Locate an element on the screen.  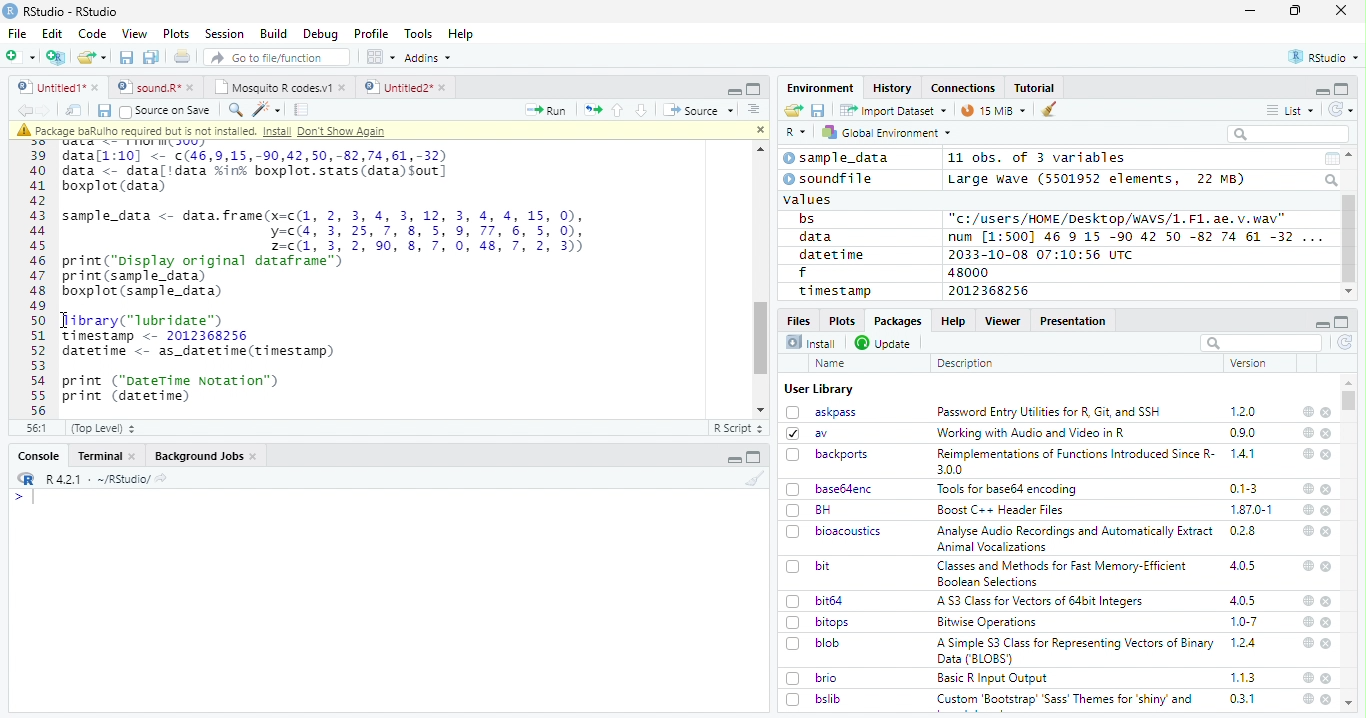
full screen is located at coordinates (1342, 322).